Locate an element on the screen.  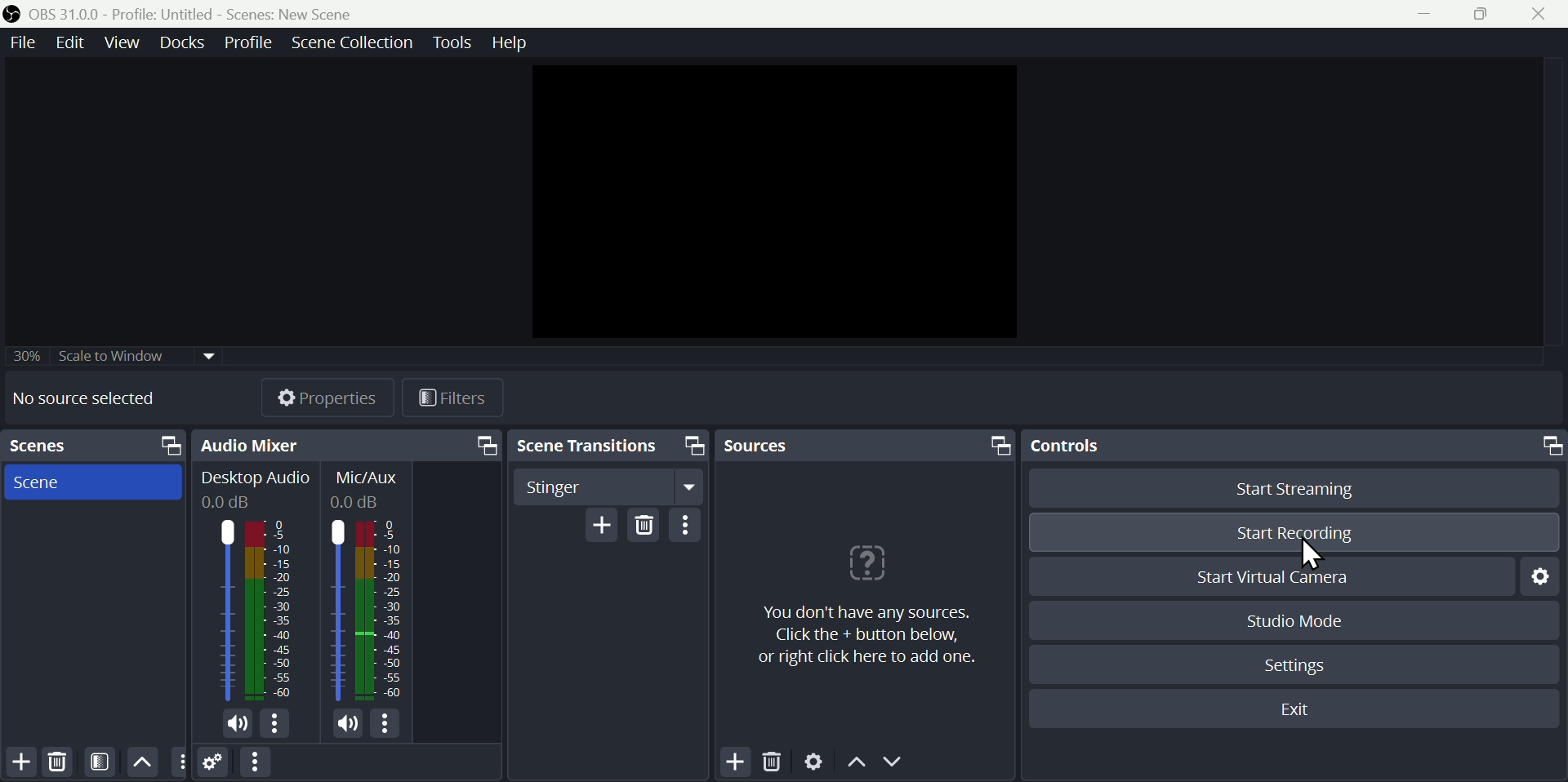
Start recording is located at coordinates (1294, 531).